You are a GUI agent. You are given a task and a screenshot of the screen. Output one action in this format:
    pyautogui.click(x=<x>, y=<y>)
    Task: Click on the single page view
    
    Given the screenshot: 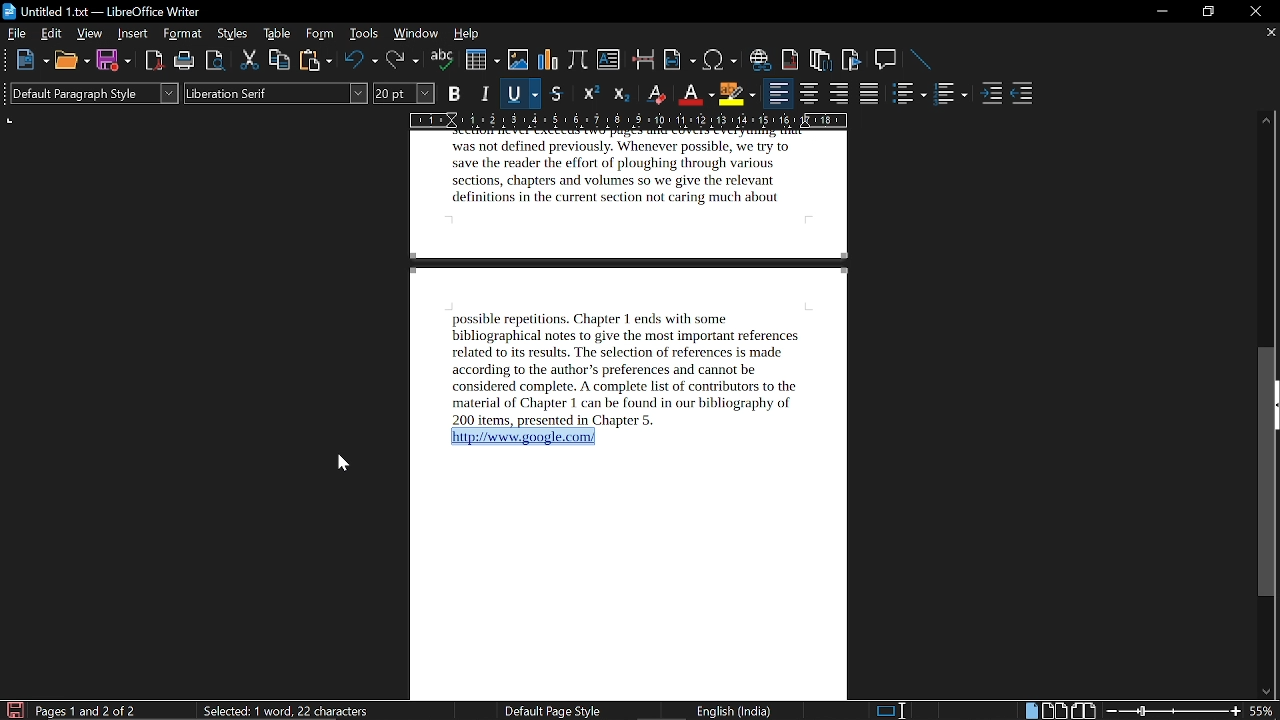 What is the action you would take?
    pyautogui.click(x=1030, y=710)
    